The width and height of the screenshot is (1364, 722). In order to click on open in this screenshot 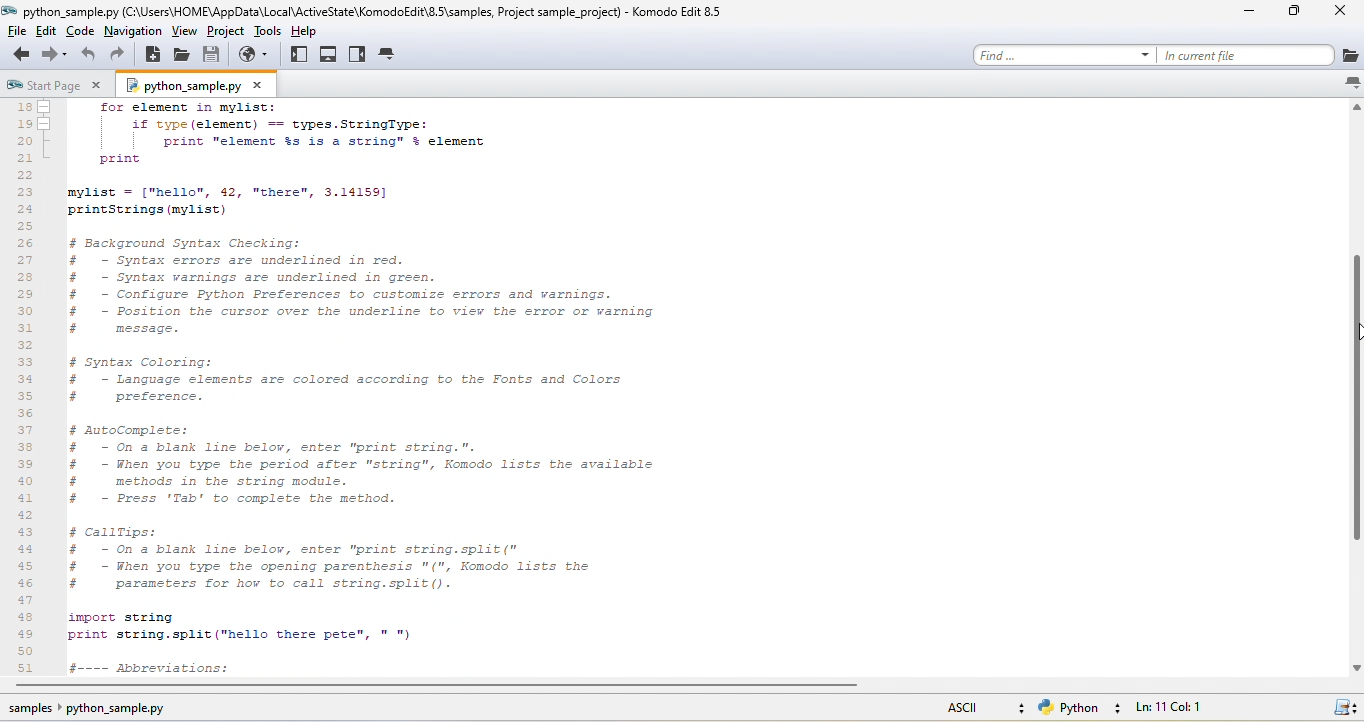, I will do `click(182, 55)`.